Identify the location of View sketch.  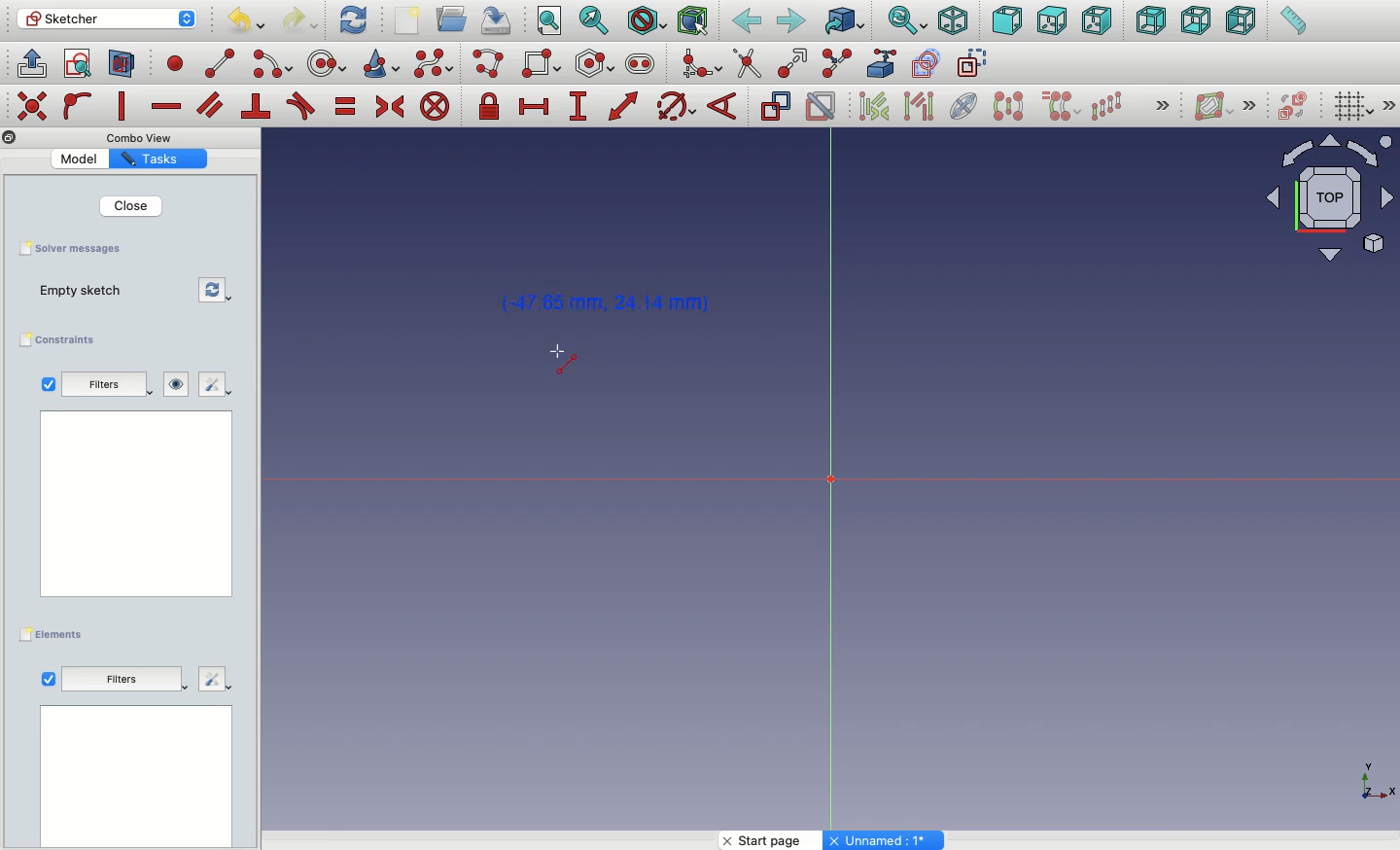
(78, 65).